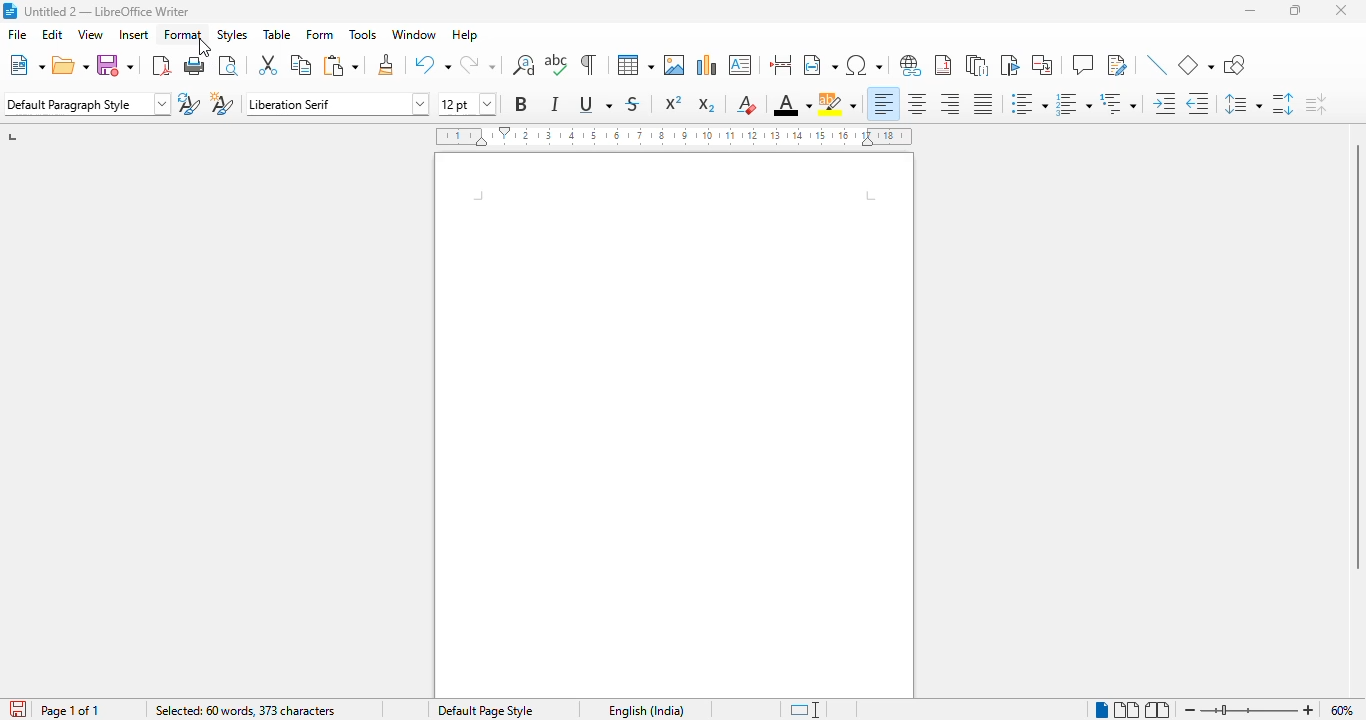 This screenshot has width=1366, height=720. Describe the element at coordinates (9, 10) in the screenshot. I see `logo` at that location.